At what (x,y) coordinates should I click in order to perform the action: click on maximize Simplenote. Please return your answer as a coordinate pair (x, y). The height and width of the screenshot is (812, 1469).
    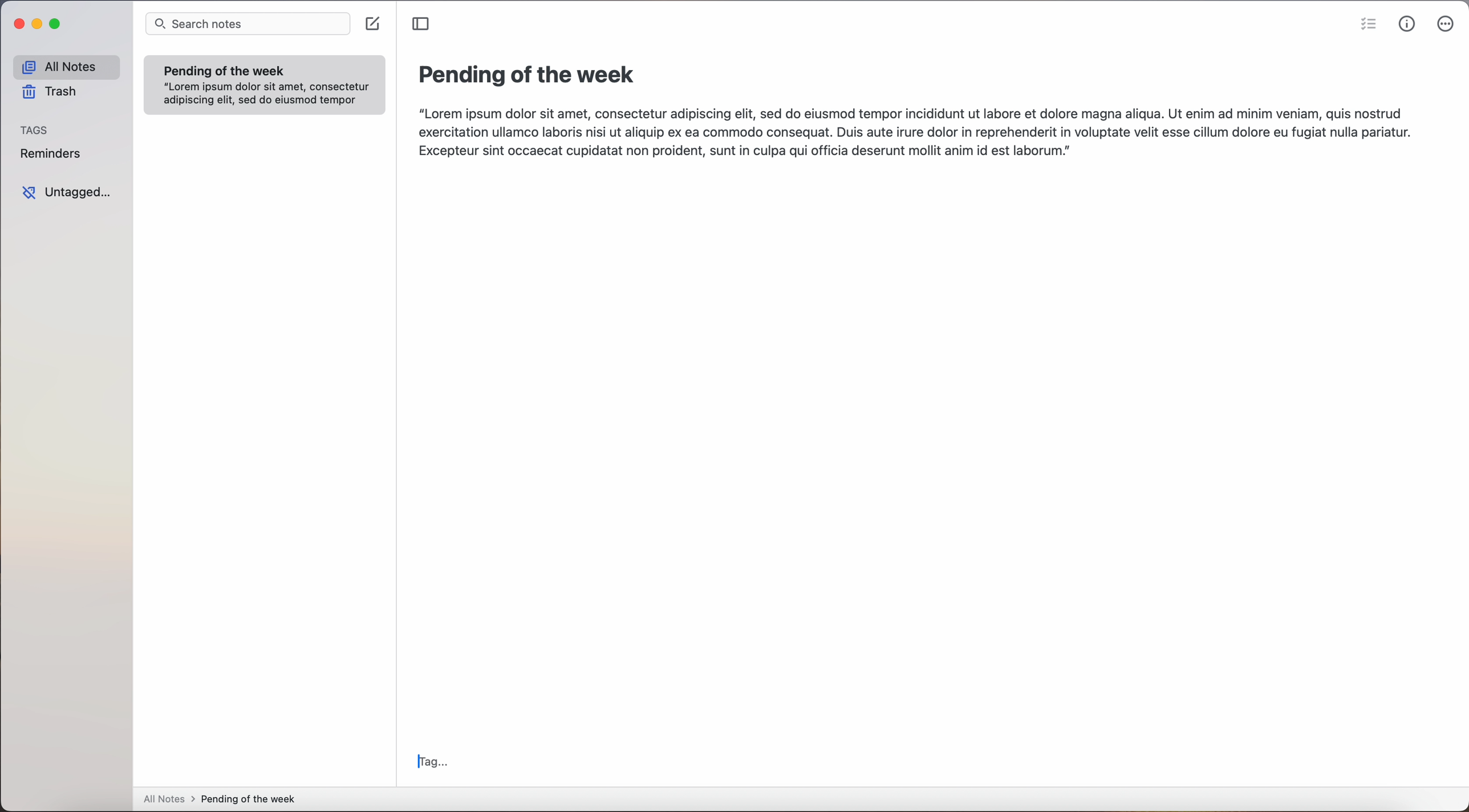
    Looking at the image, I should click on (59, 24).